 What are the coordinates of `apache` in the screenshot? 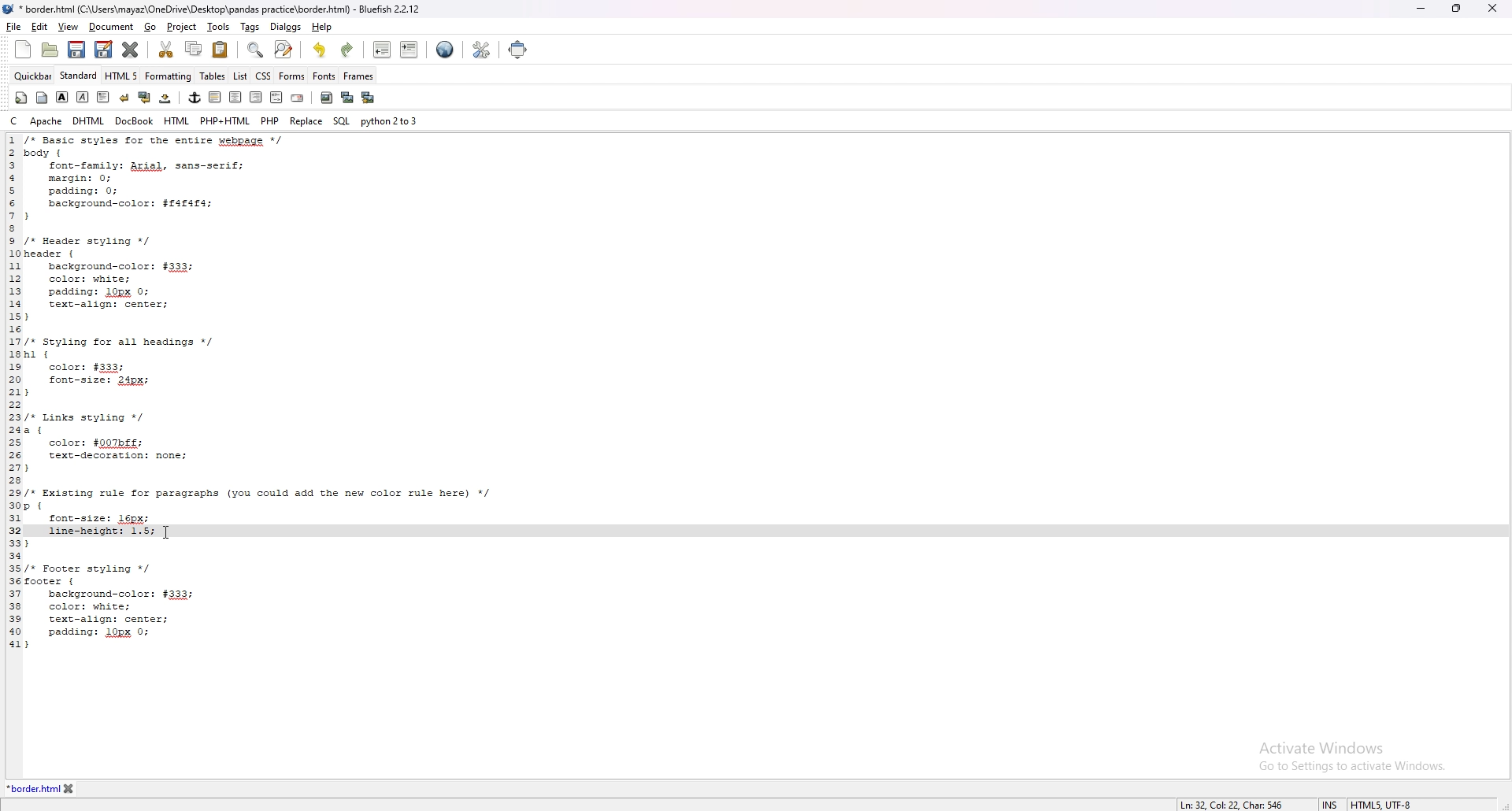 It's located at (46, 120).